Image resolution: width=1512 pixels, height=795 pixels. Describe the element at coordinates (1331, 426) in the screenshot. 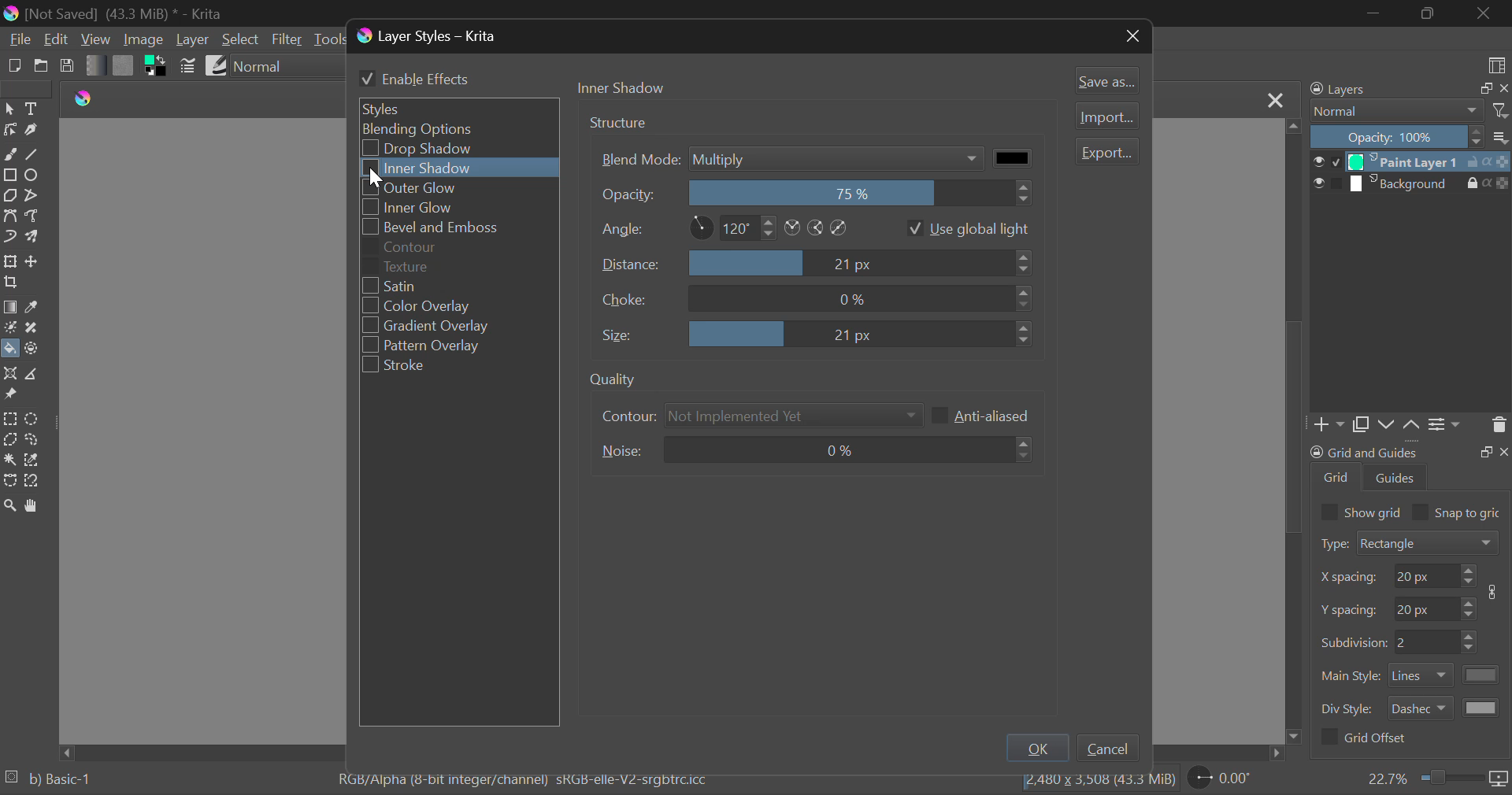

I see `Add Layer` at that location.